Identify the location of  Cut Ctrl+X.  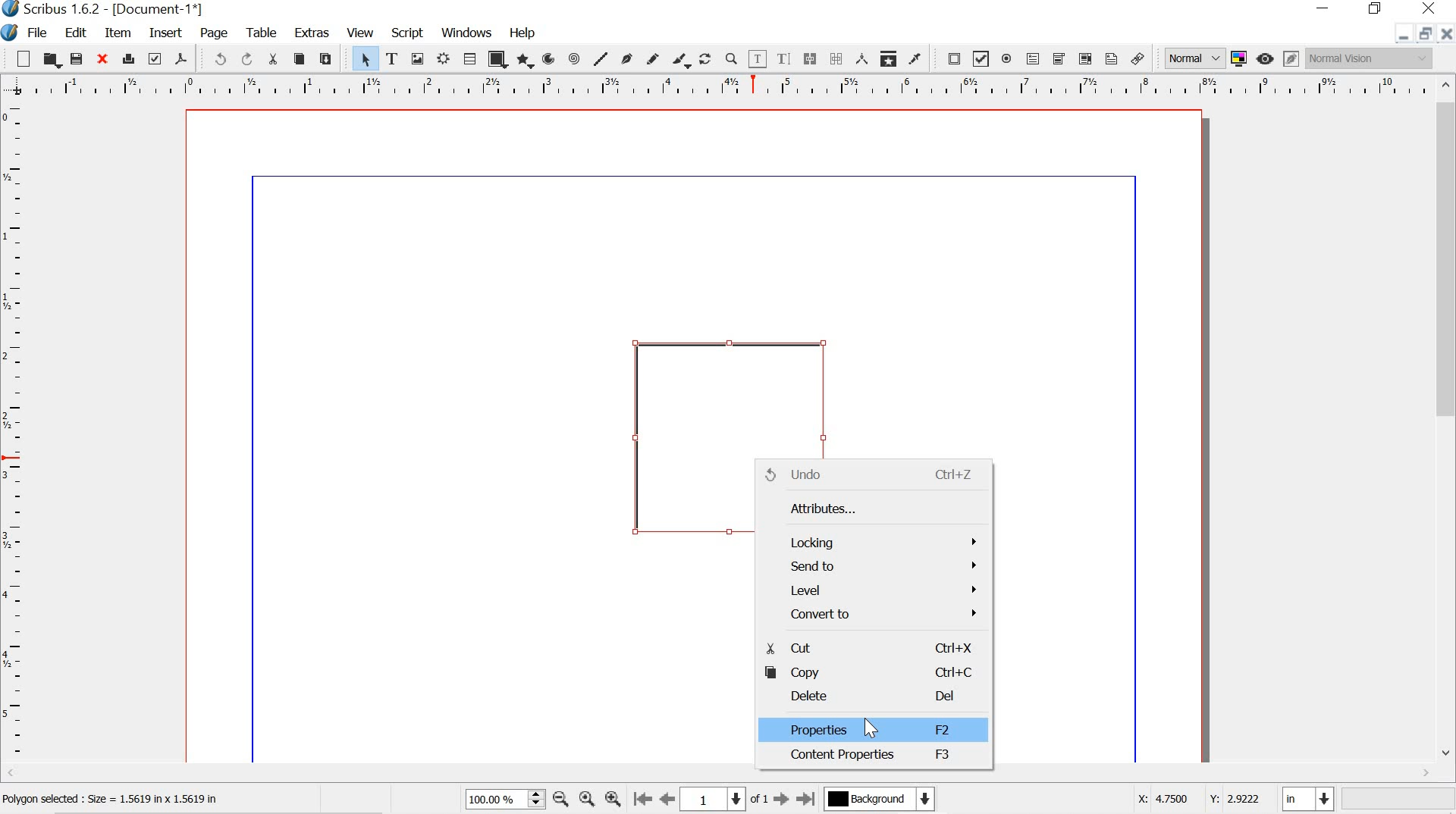
(867, 645).